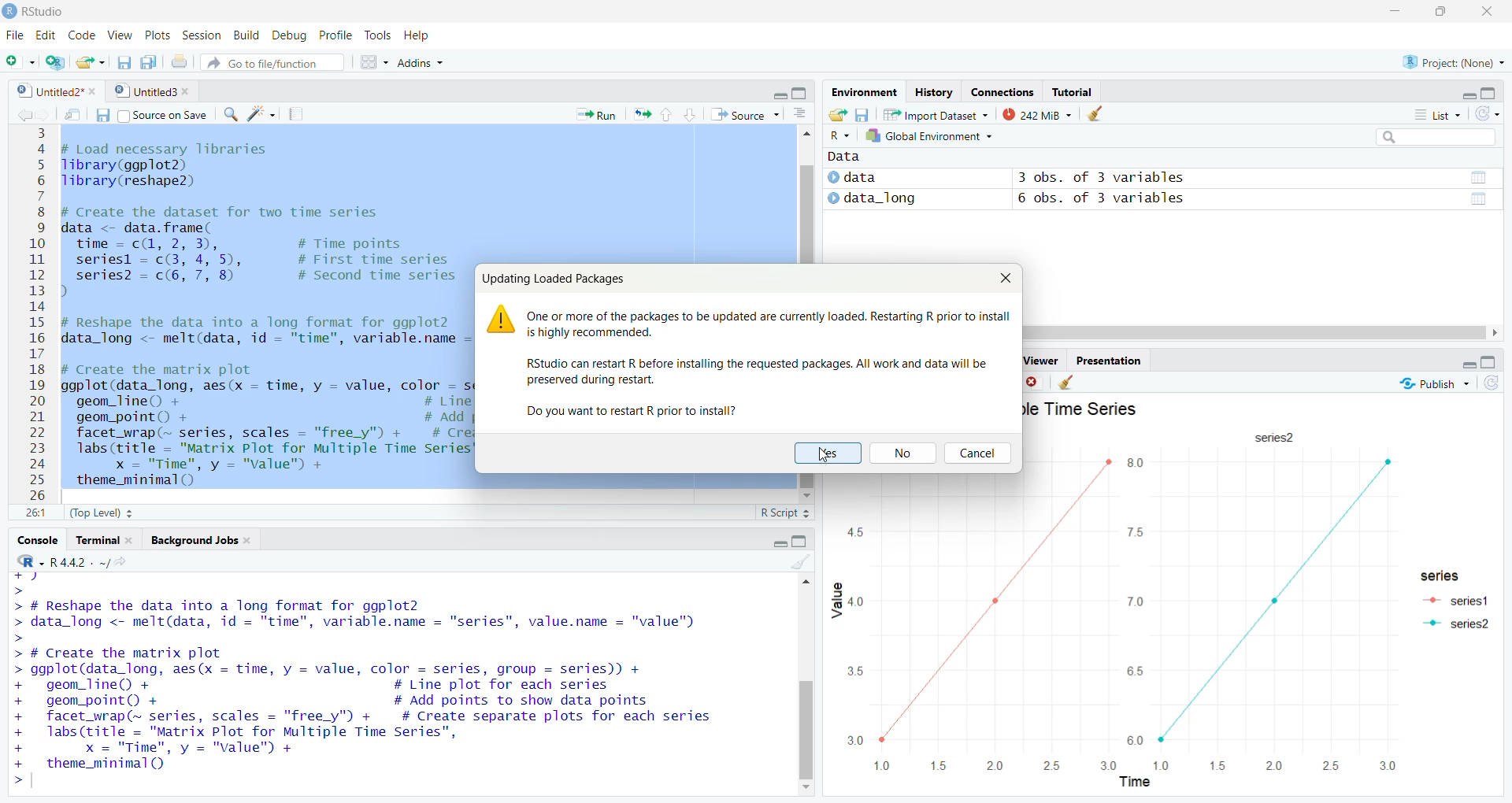 The image size is (1512, 803). I want to click on Edit, so click(47, 35).